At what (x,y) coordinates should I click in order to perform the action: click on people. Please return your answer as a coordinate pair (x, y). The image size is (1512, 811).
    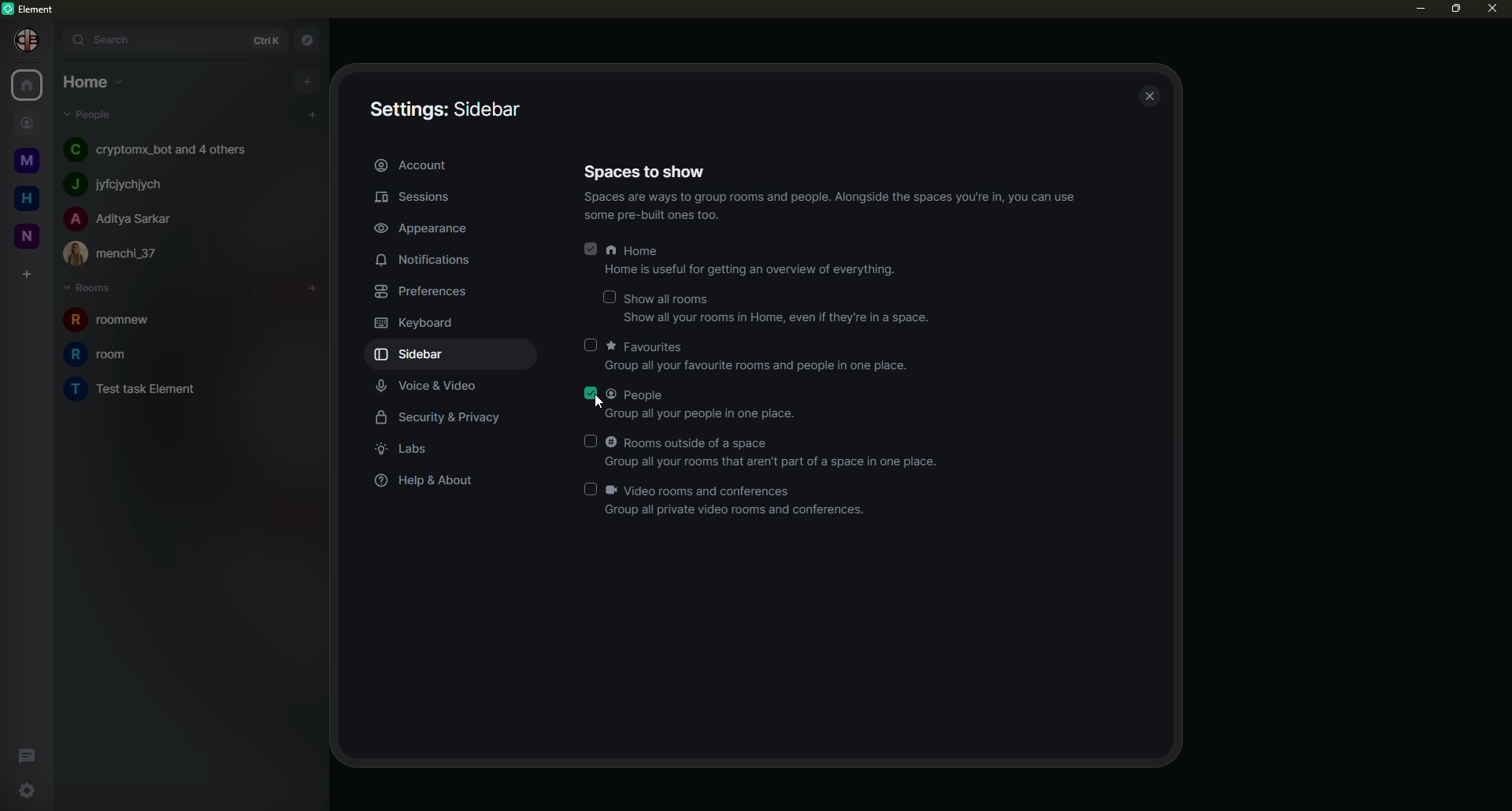
    Looking at the image, I should click on (26, 122).